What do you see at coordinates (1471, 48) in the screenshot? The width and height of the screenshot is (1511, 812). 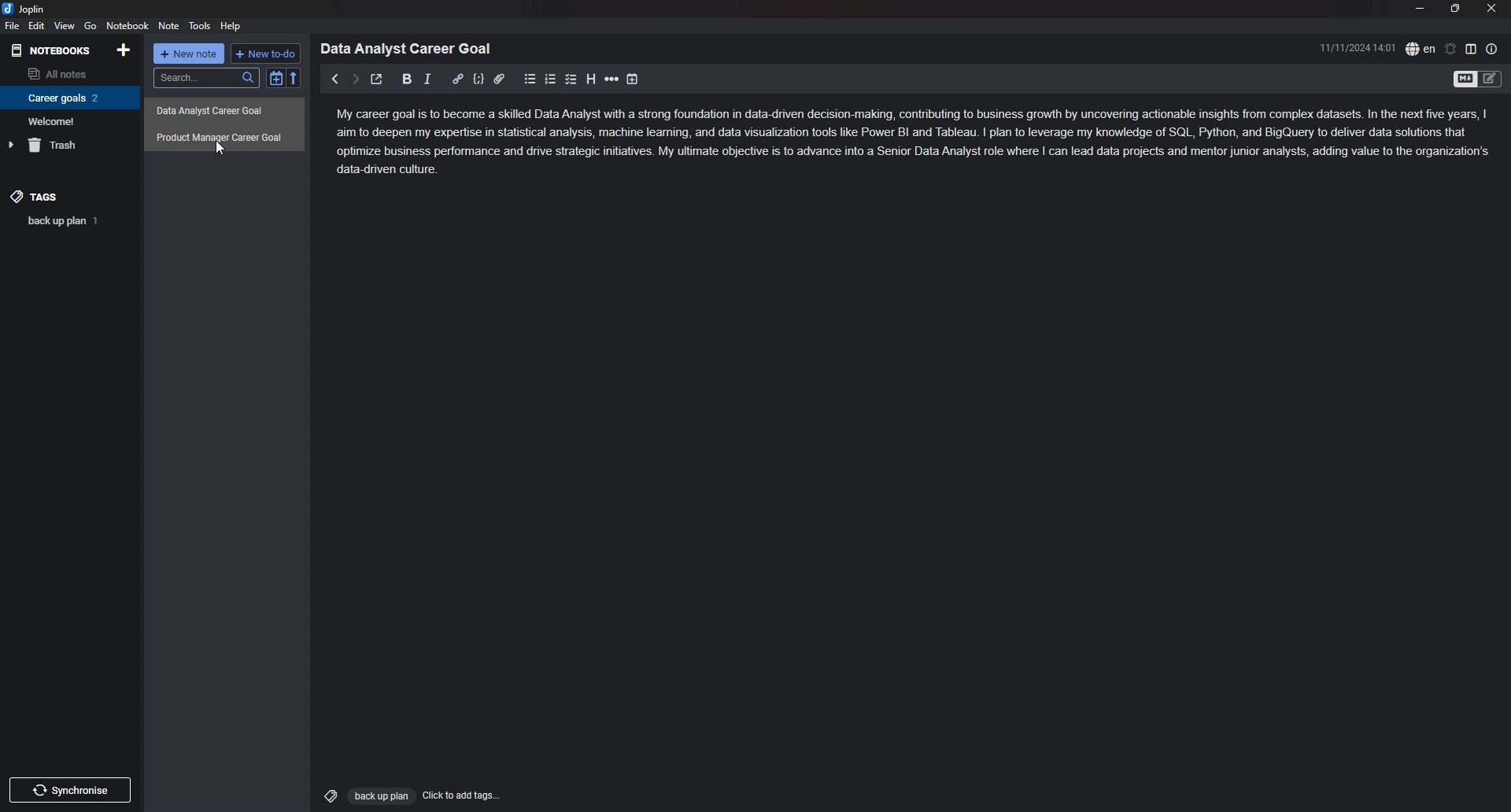 I see `toggle editor layout` at bounding box center [1471, 48].